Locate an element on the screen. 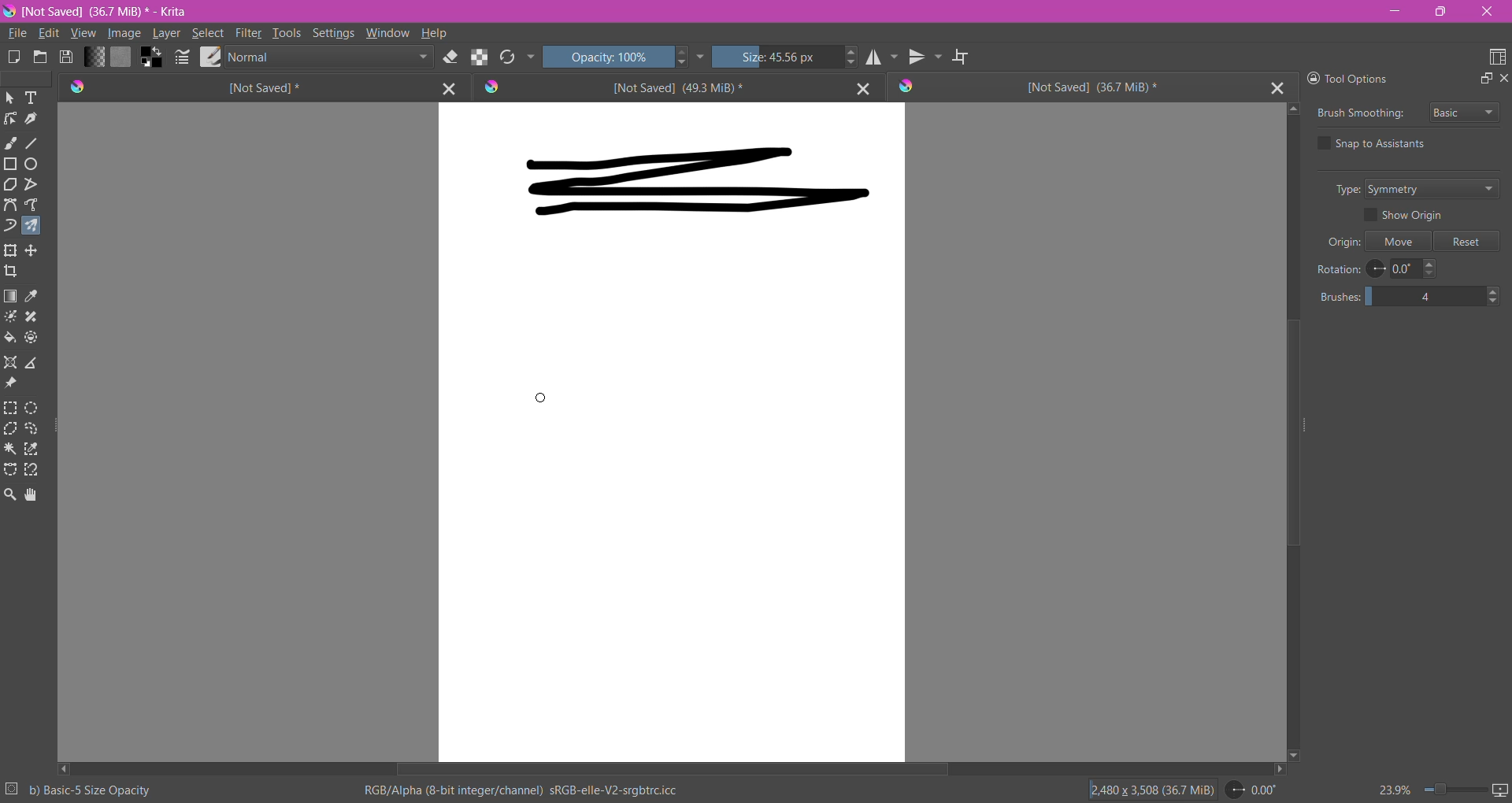 The image size is (1512, 803). Assistant Tool  is located at coordinates (11, 362).